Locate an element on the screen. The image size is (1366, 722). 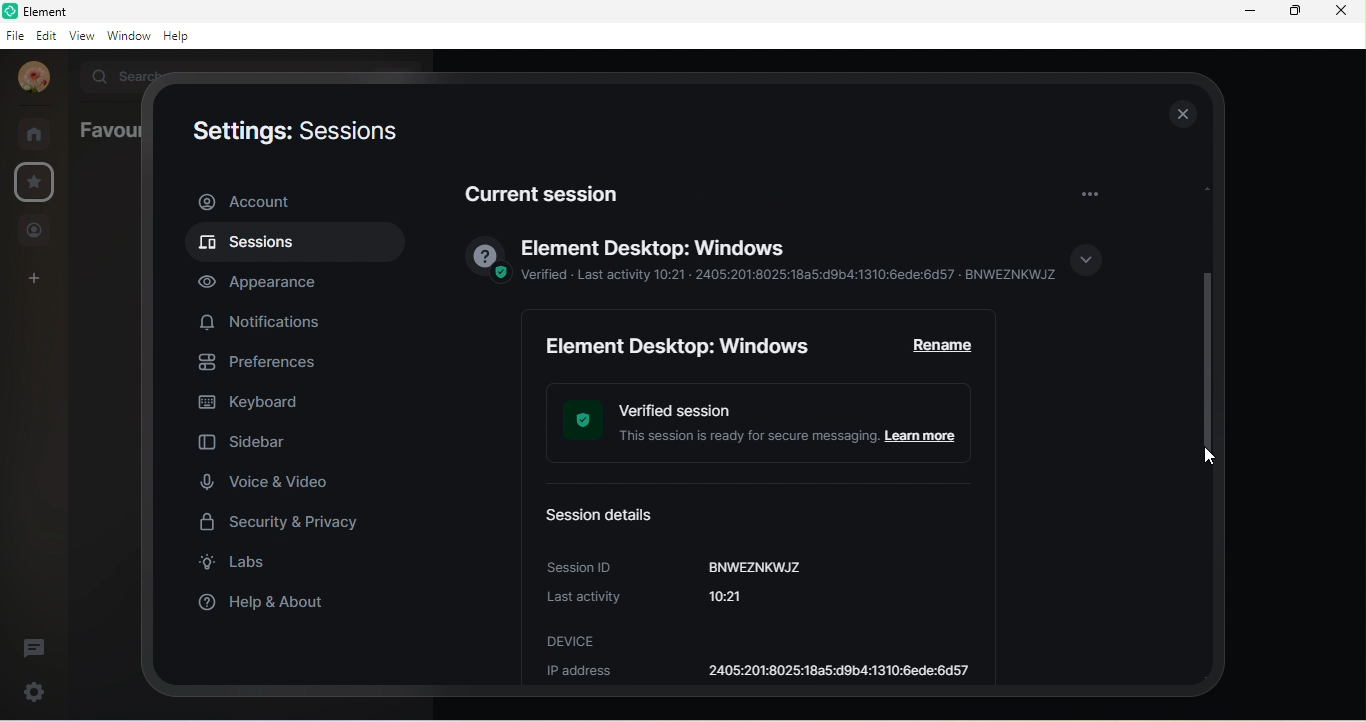
threads is located at coordinates (35, 649).